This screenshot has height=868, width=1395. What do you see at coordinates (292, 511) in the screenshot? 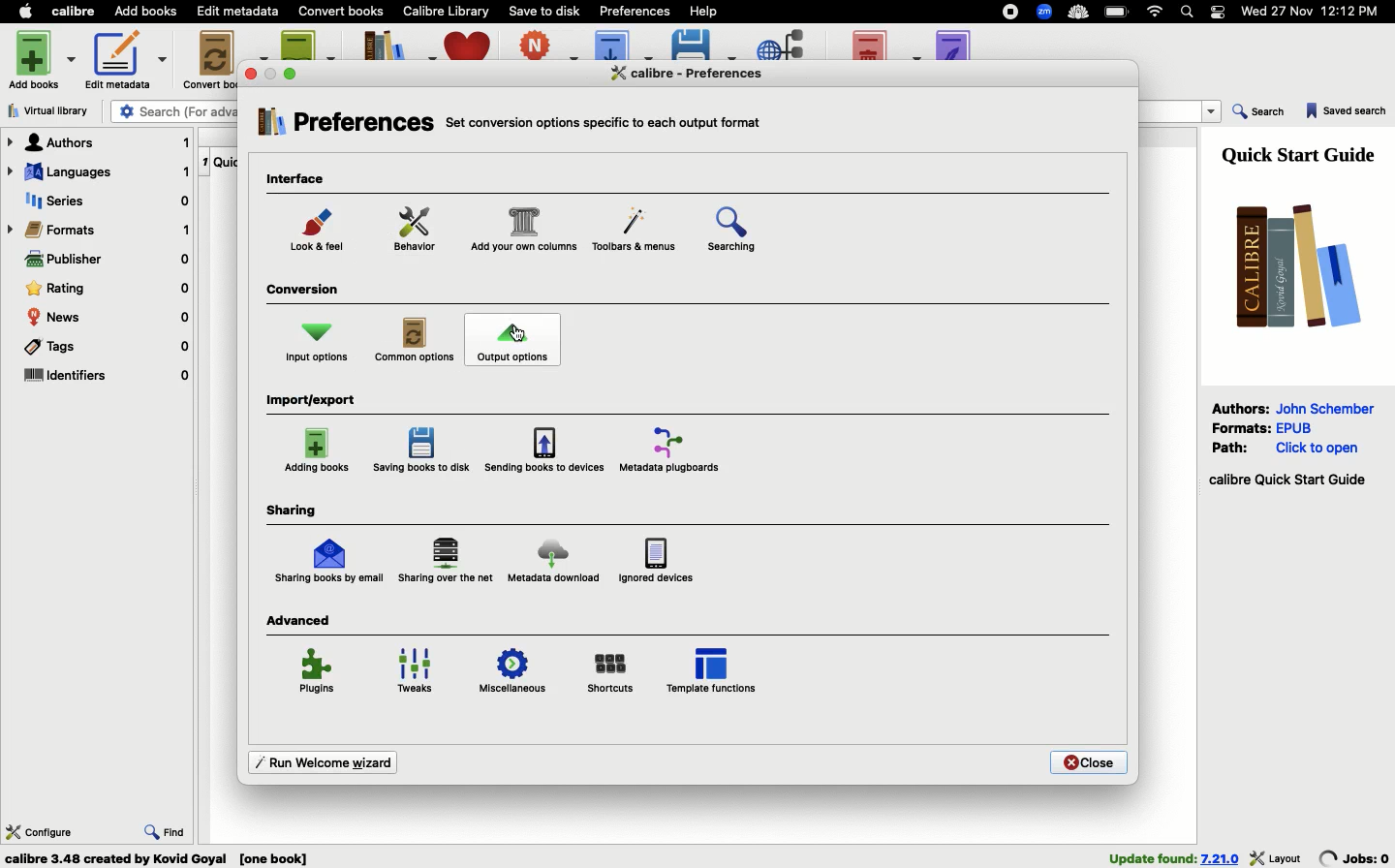
I see `Sharing` at bounding box center [292, 511].